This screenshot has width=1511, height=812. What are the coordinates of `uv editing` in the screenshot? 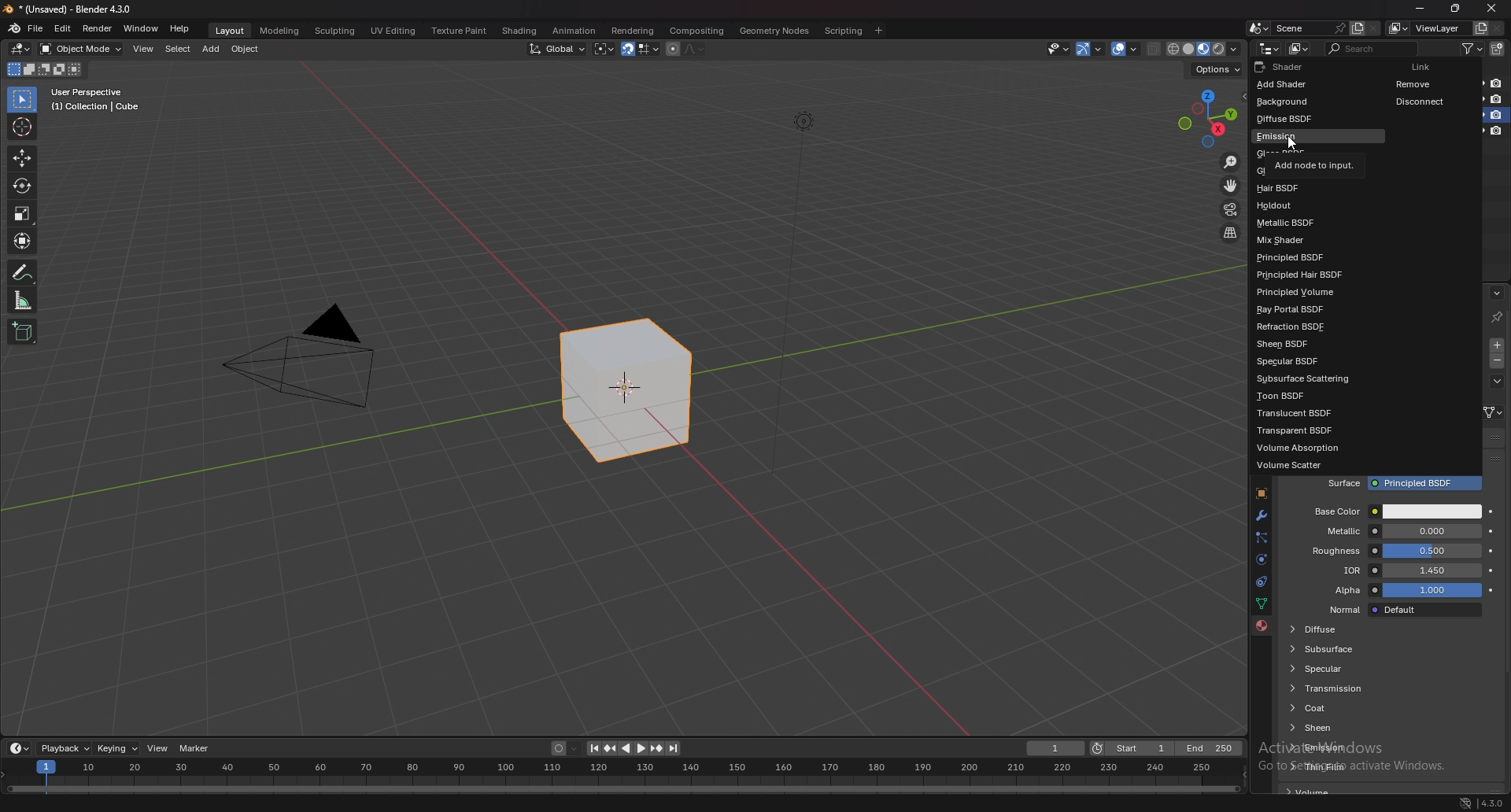 It's located at (392, 30).